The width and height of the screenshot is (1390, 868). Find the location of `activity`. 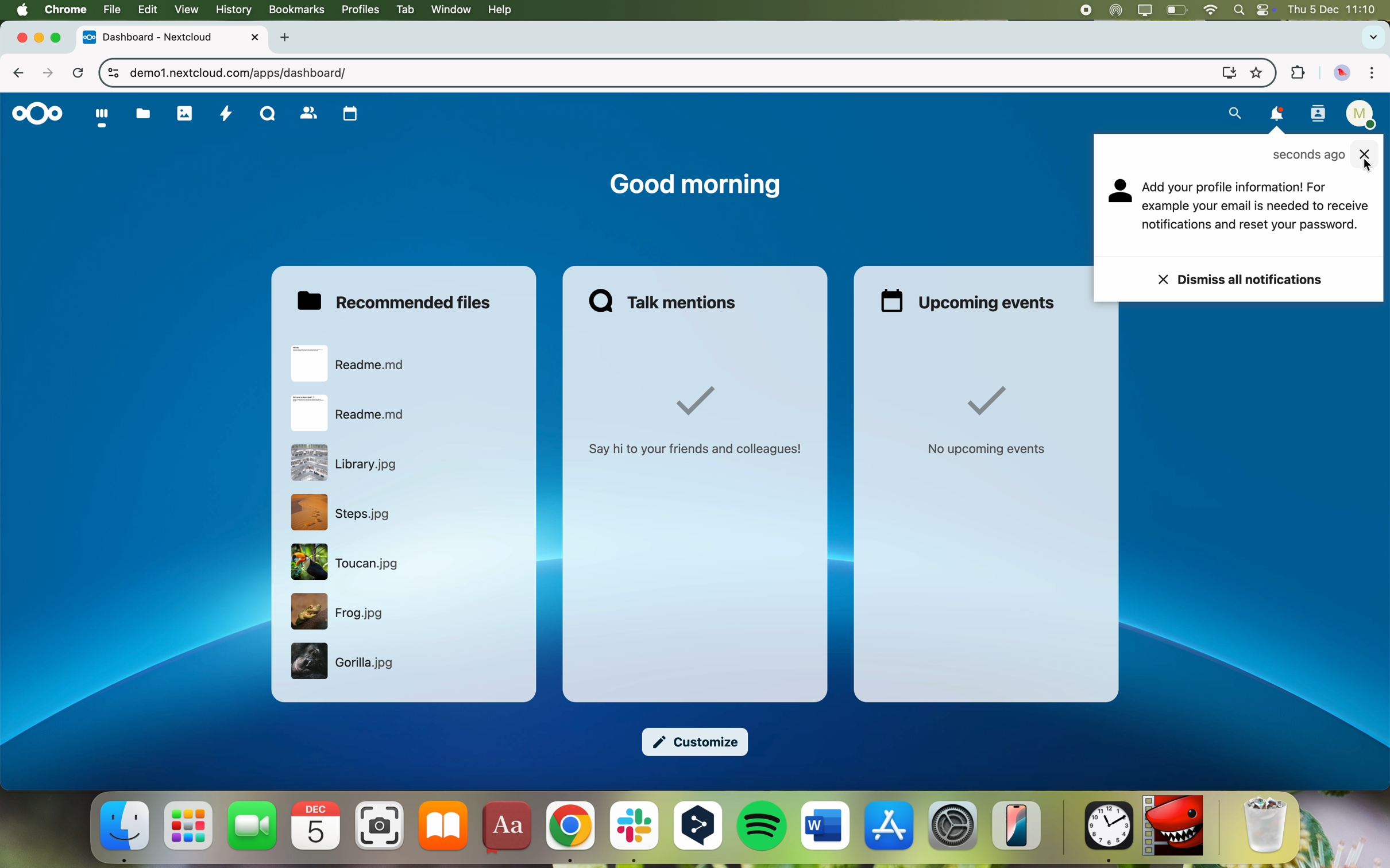

activity is located at coordinates (226, 115).